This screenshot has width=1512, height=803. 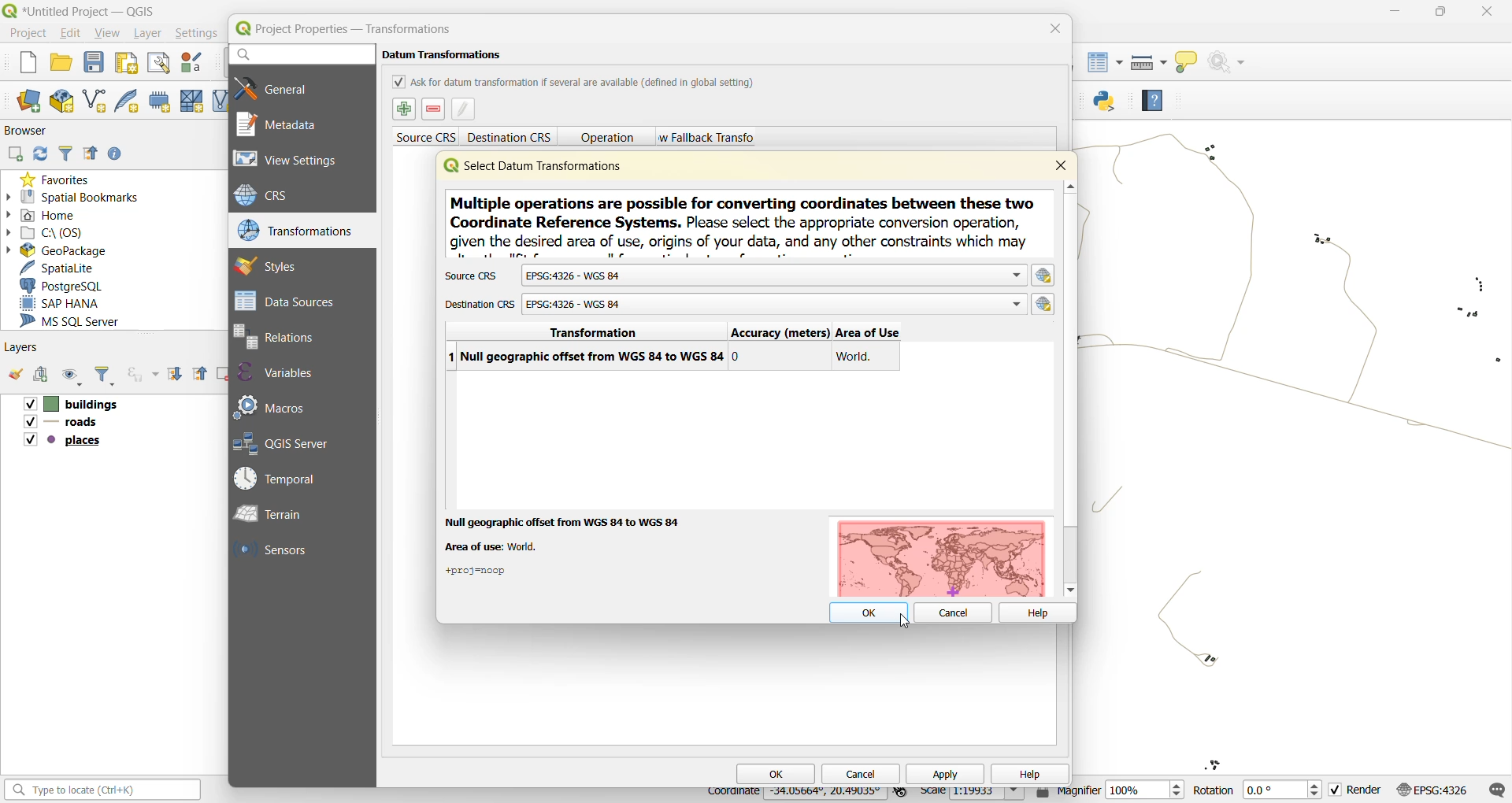 I want to click on collapse all, so click(x=200, y=375).